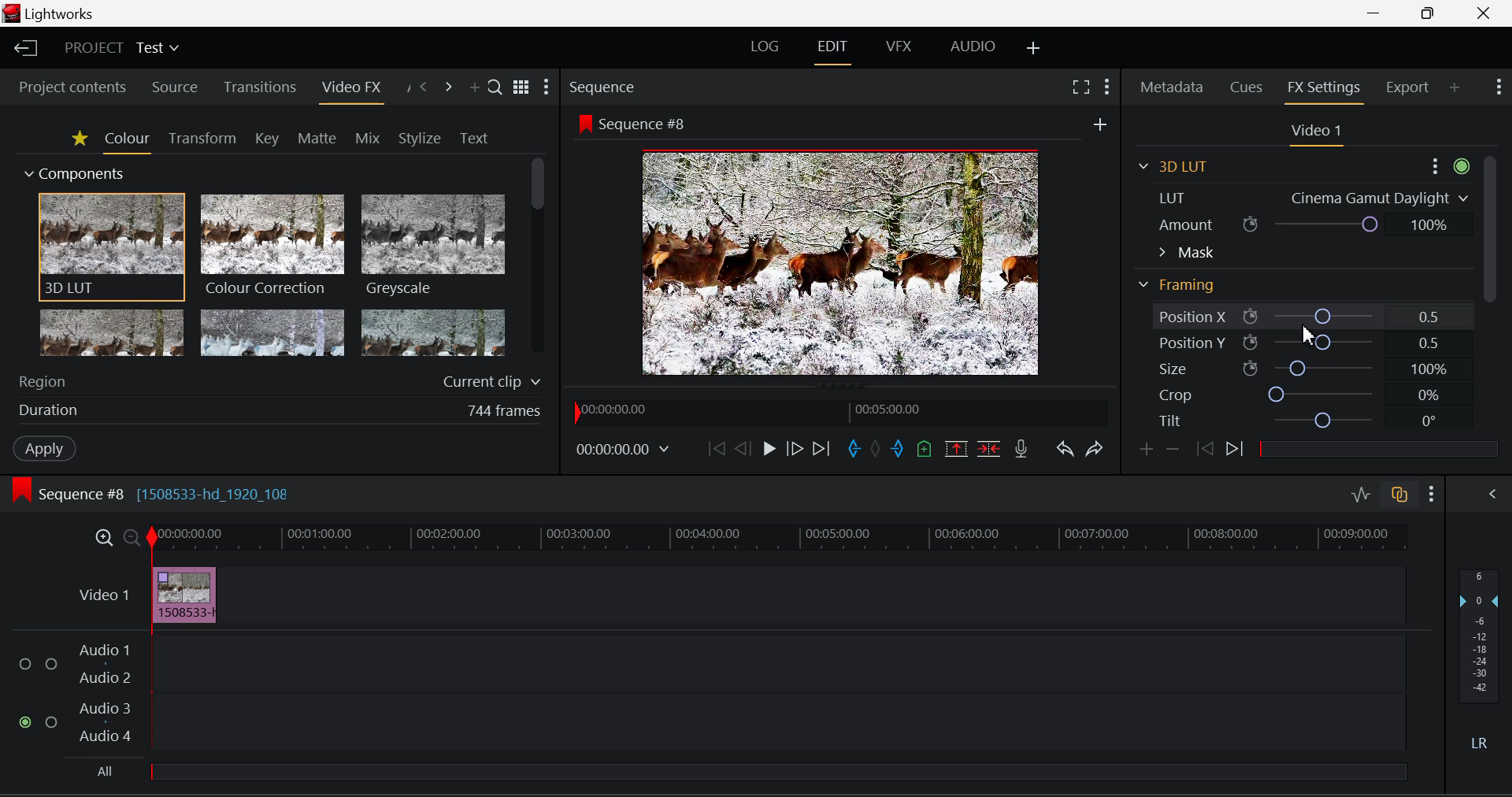 The height and width of the screenshot is (797, 1512). Describe the element at coordinates (112, 335) in the screenshot. I see `Glow` at that location.